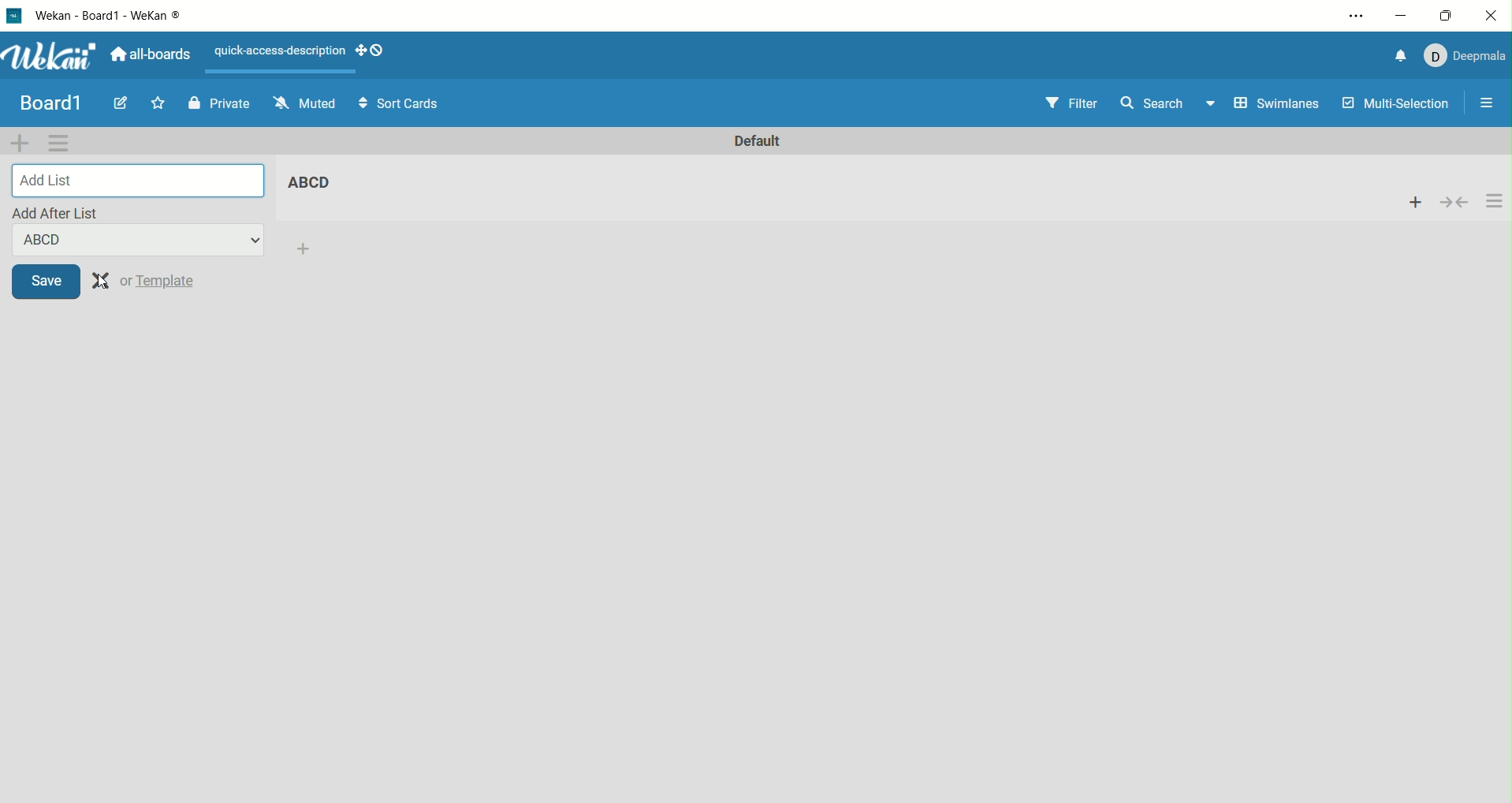  I want to click on cursor, so click(105, 287).